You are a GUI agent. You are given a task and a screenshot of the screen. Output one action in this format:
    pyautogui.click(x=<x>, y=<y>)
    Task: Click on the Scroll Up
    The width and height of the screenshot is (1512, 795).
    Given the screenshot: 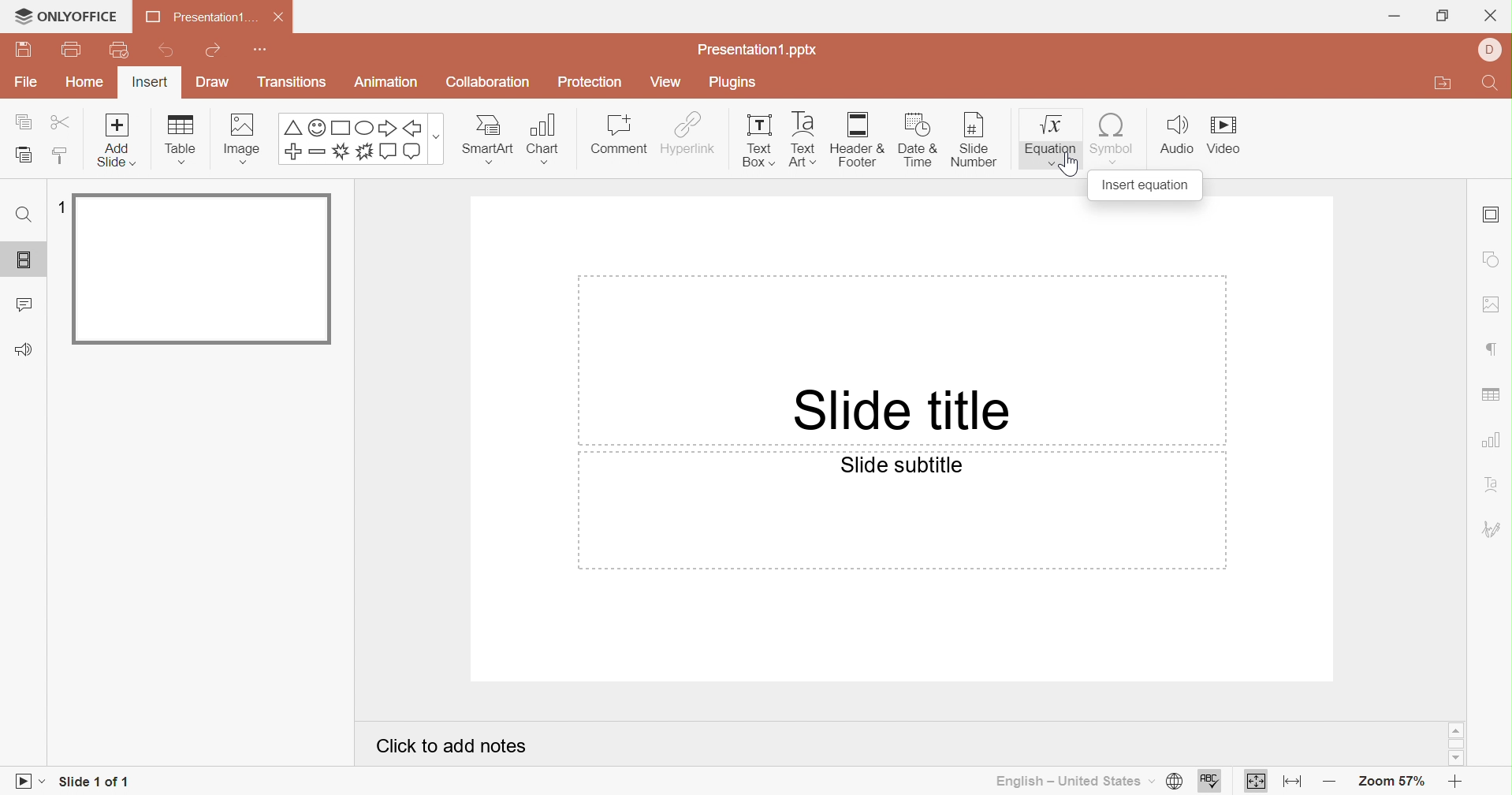 What is the action you would take?
    pyautogui.click(x=1454, y=730)
    